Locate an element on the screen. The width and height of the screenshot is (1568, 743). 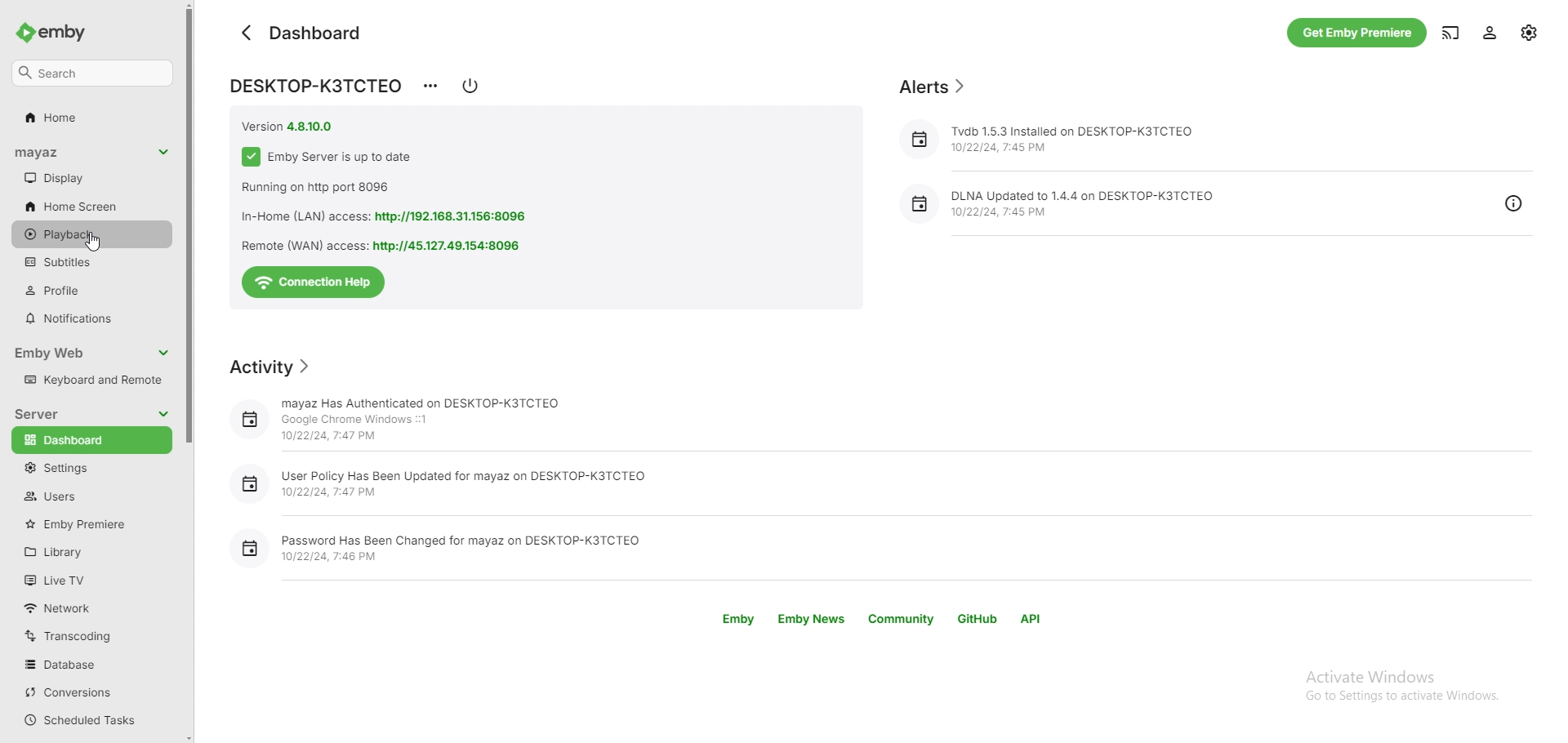
emby news is located at coordinates (811, 620).